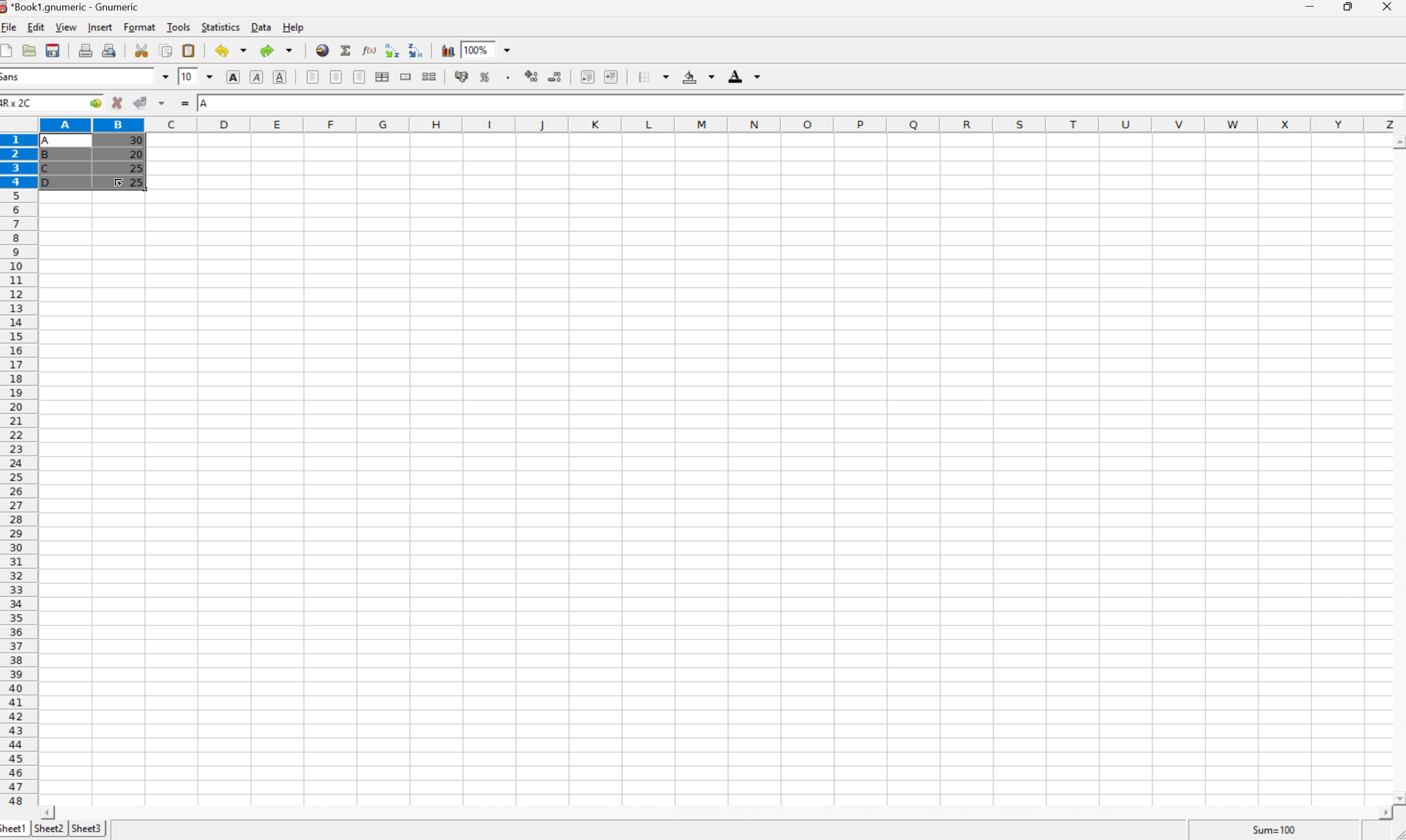 The image size is (1406, 840). What do you see at coordinates (29, 50) in the screenshot?
I see `Open a file` at bounding box center [29, 50].